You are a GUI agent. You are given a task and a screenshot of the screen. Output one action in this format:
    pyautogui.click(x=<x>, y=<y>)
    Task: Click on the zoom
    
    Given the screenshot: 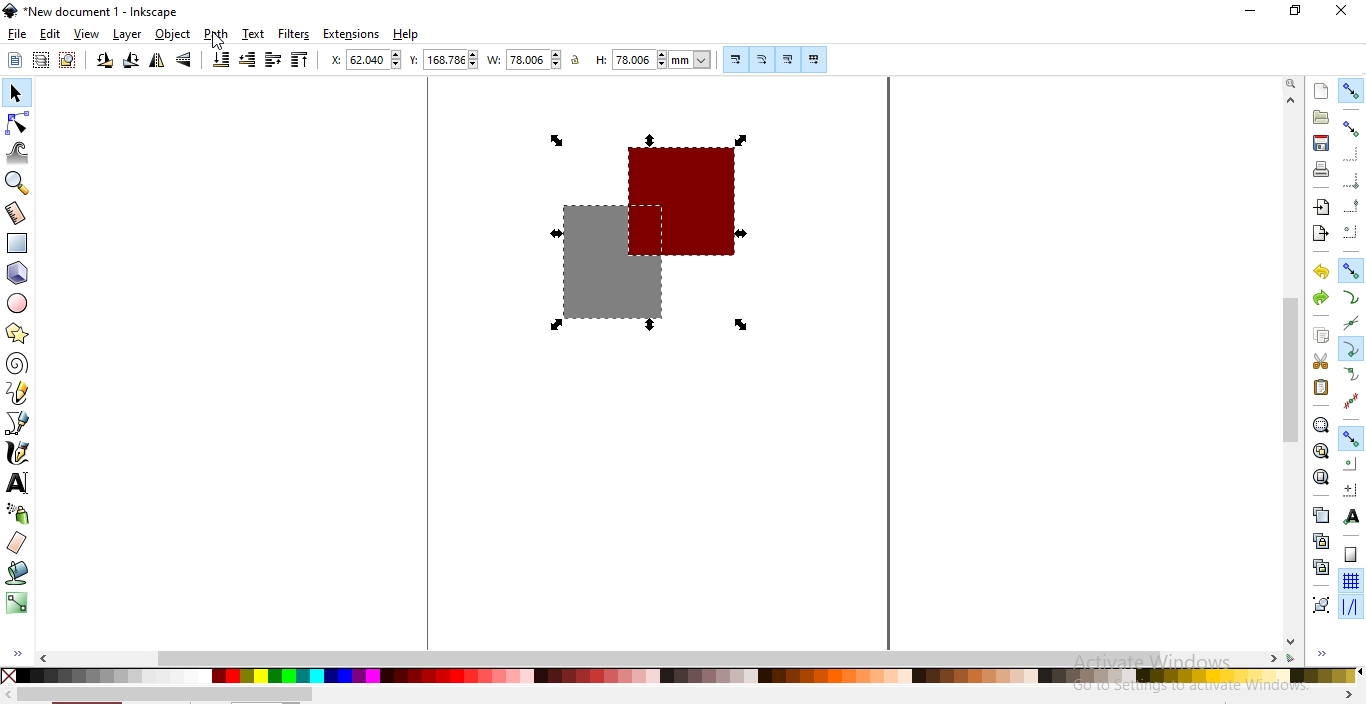 What is the action you would take?
    pyautogui.click(x=1291, y=84)
    